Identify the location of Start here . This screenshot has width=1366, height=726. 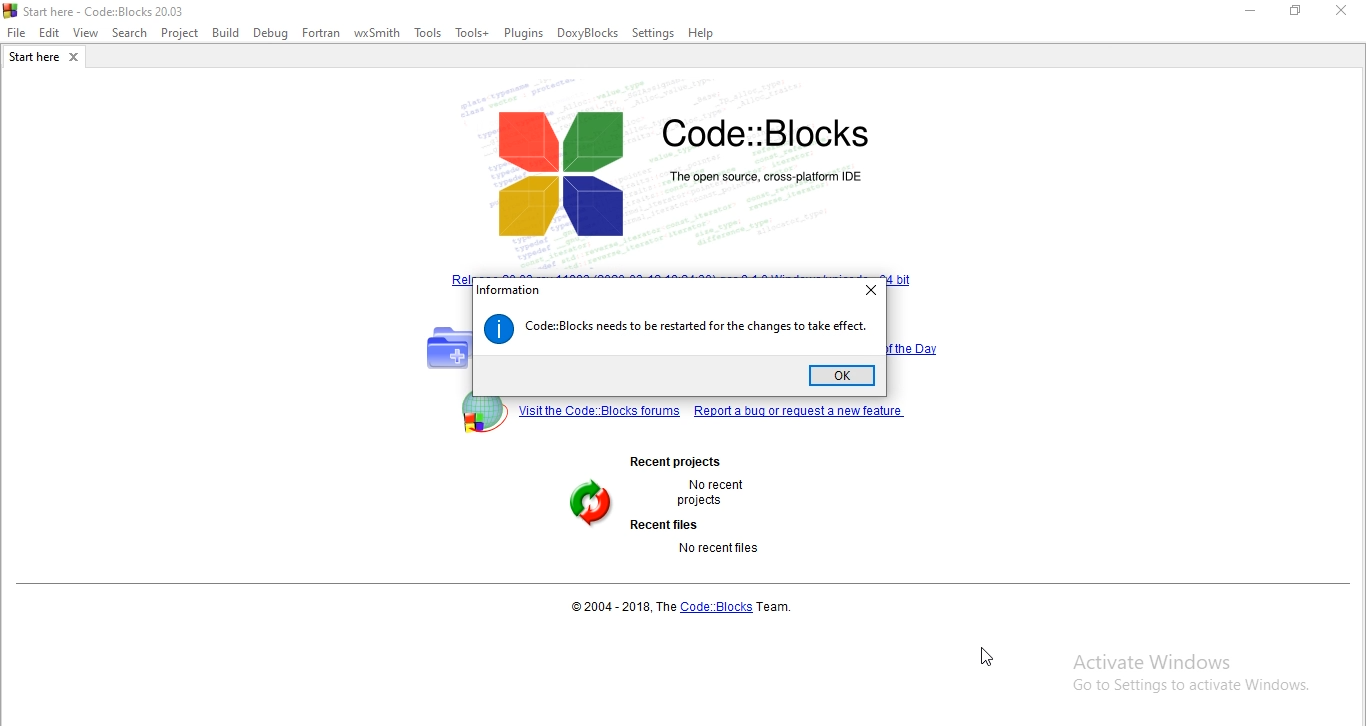
(46, 59).